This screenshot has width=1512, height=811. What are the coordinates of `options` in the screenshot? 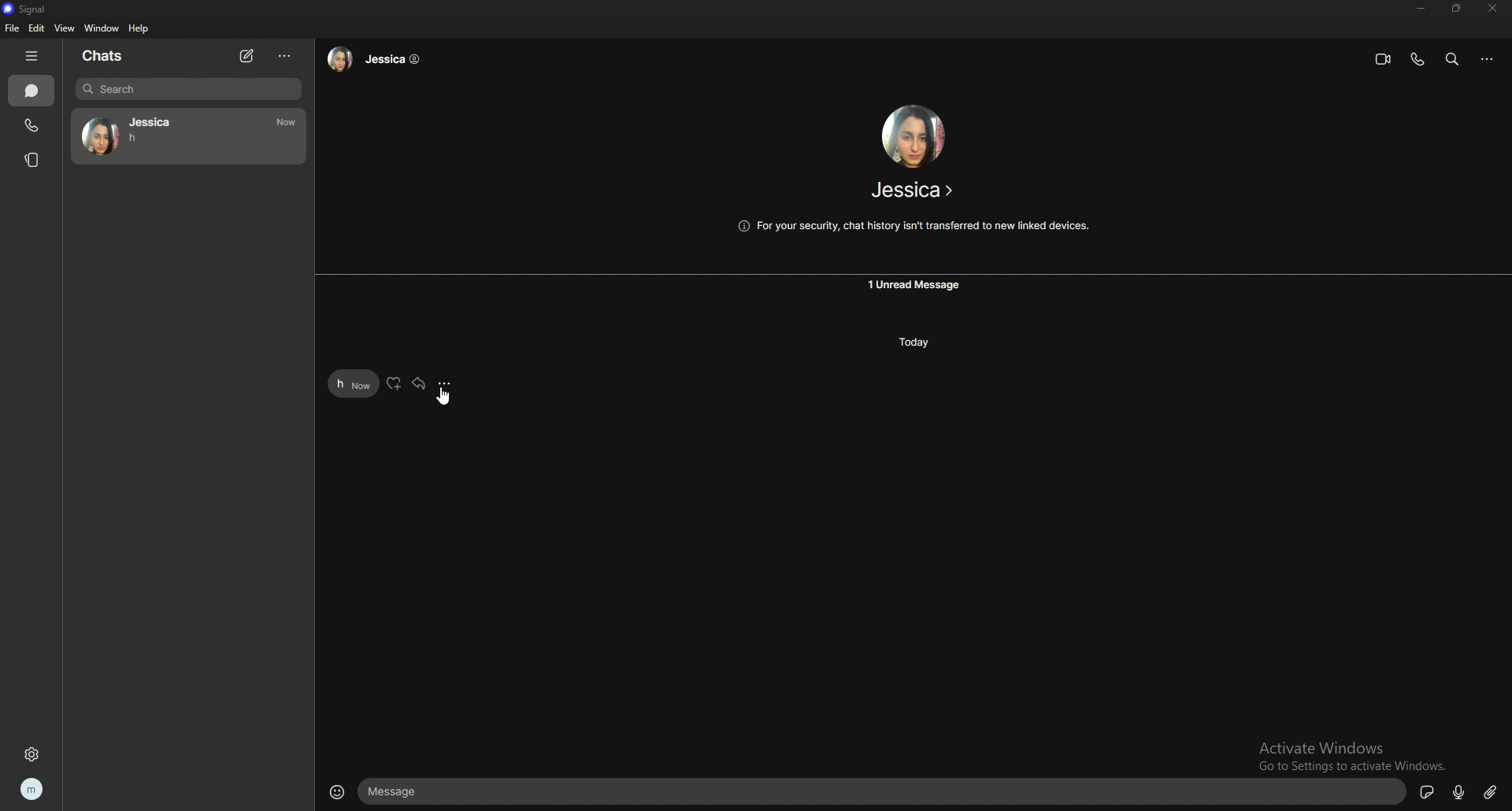 It's located at (1488, 59).